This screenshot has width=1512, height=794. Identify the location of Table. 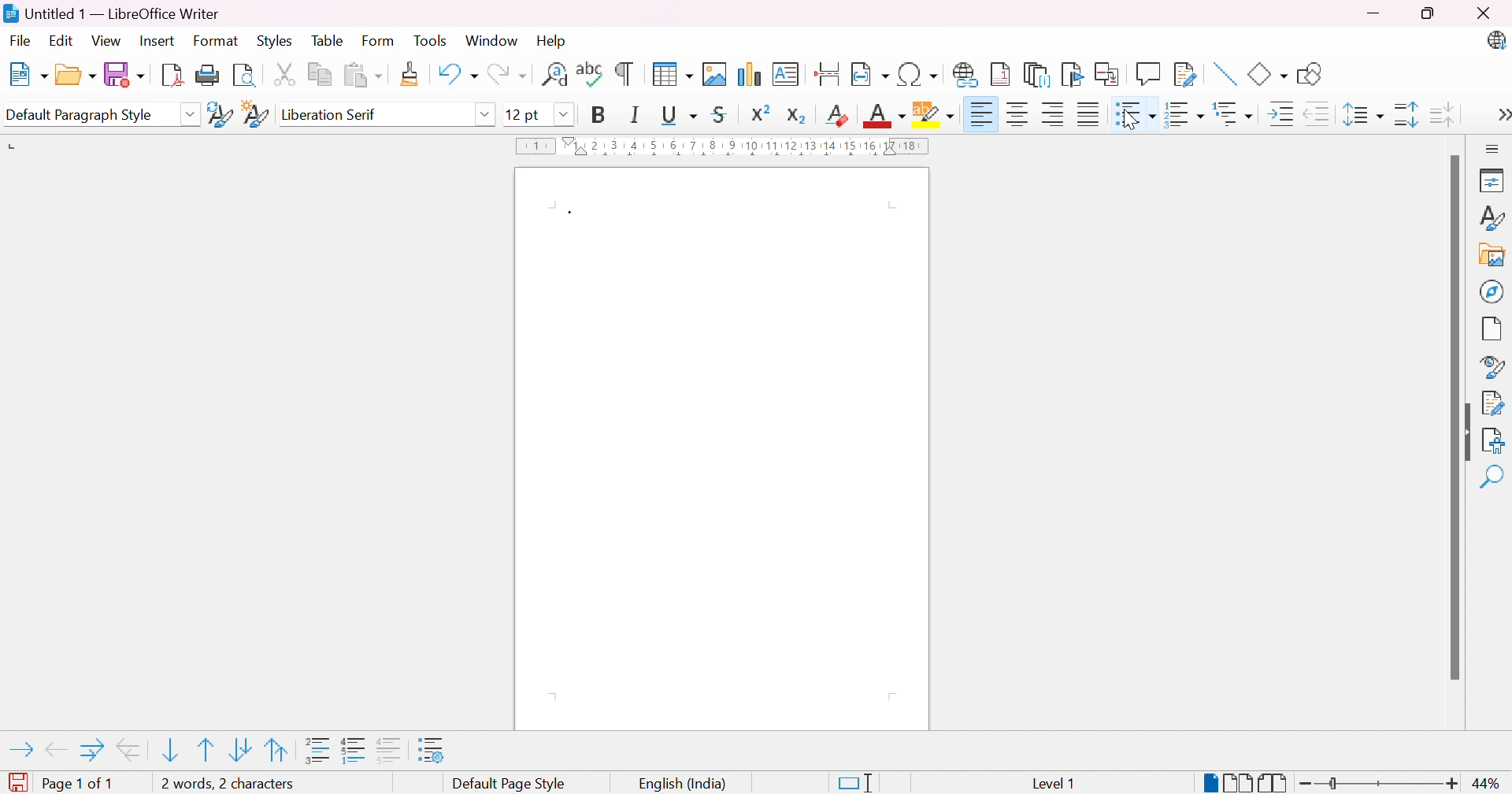
(328, 39).